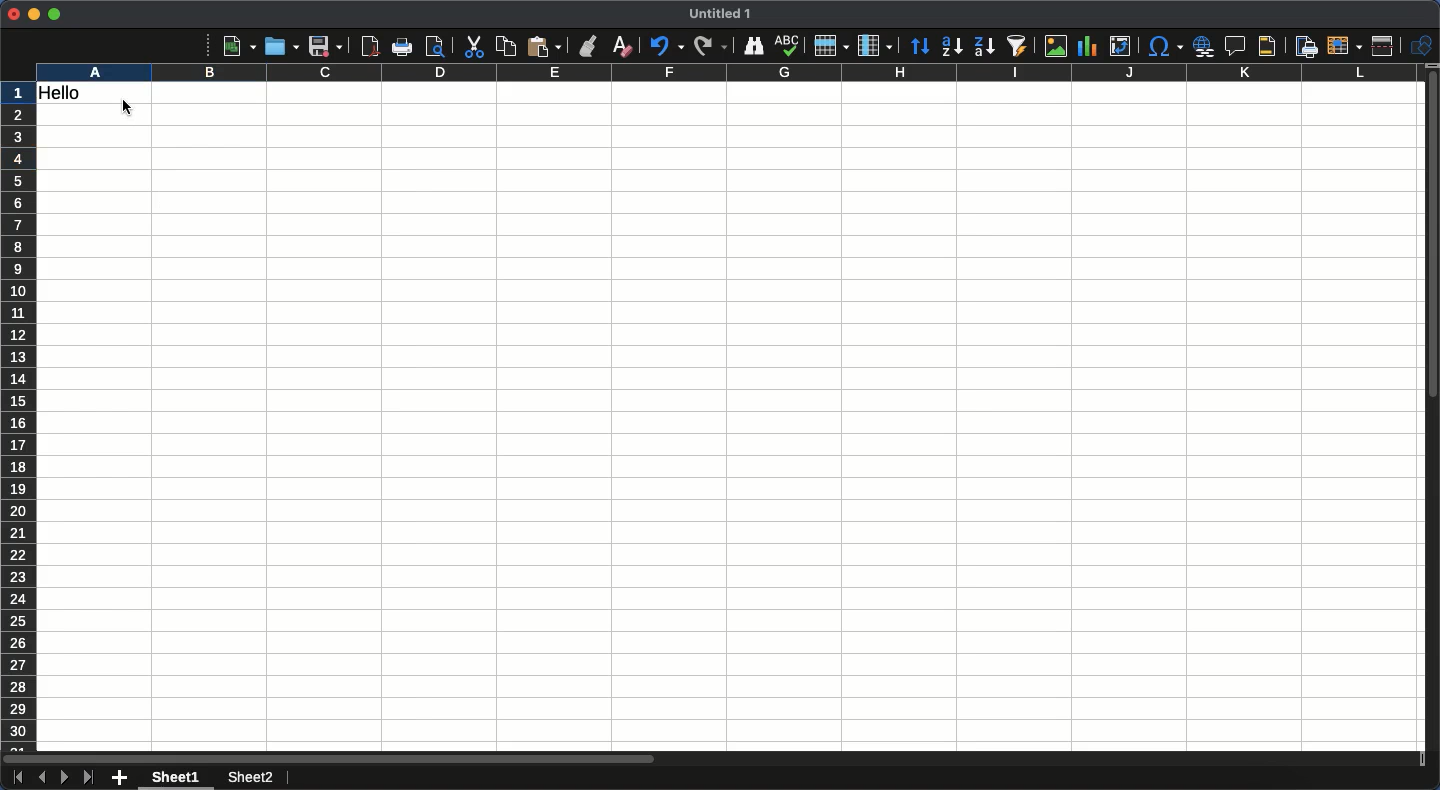 The width and height of the screenshot is (1440, 790). What do you see at coordinates (1016, 46) in the screenshot?
I see `Autofilter` at bounding box center [1016, 46].